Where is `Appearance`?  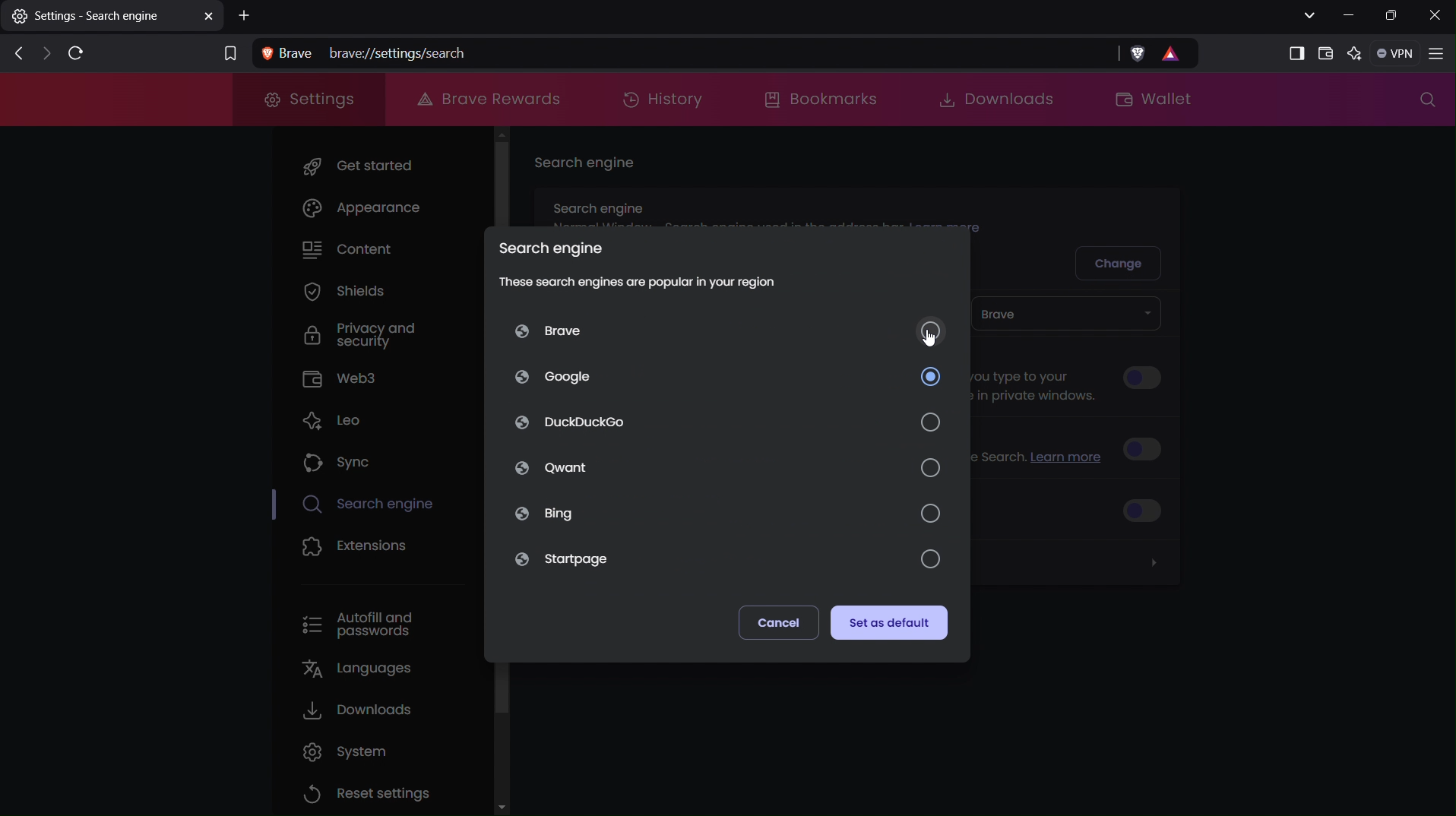
Appearance is located at coordinates (385, 211).